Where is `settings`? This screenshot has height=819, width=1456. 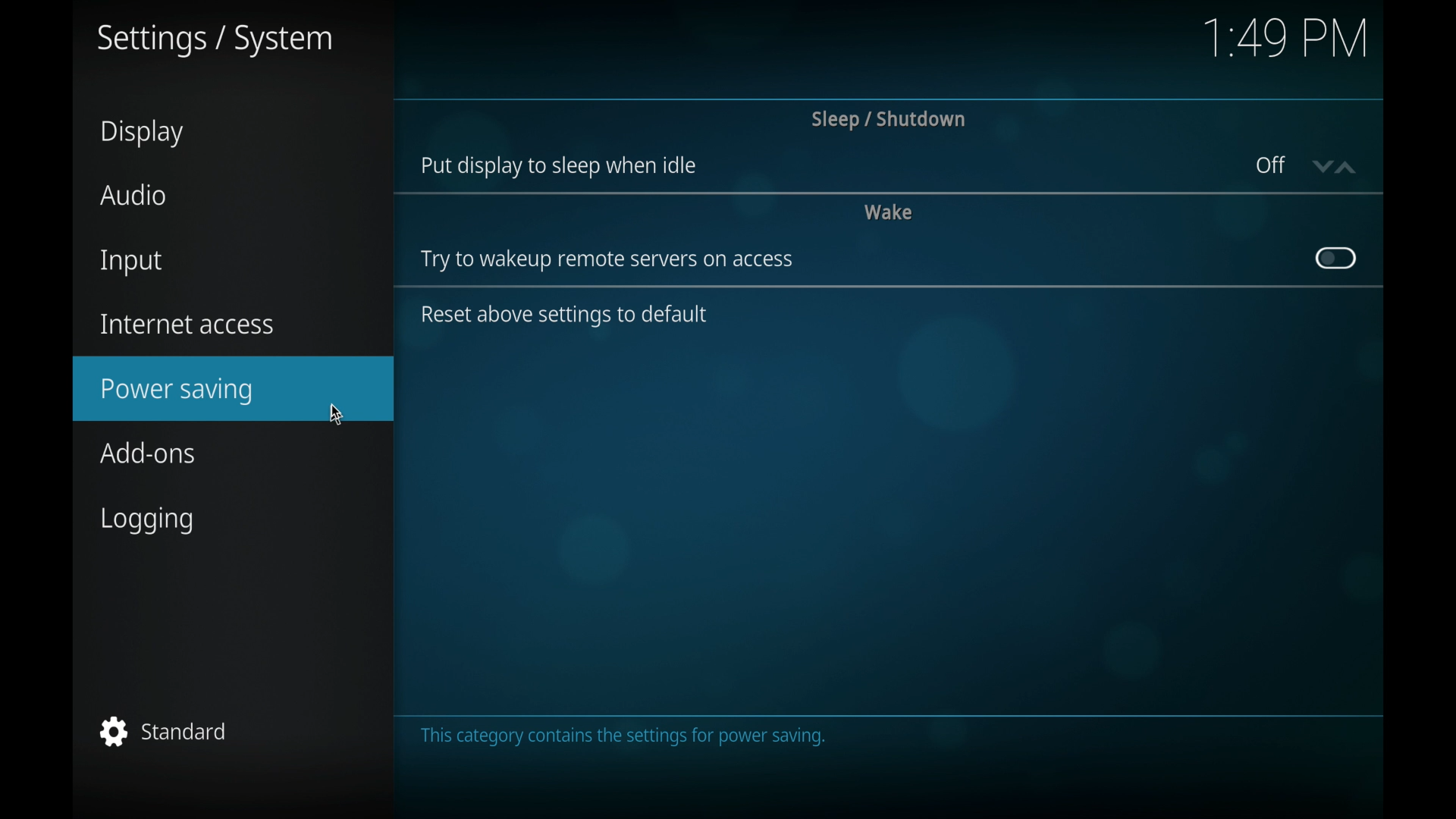
settings is located at coordinates (215, 40).